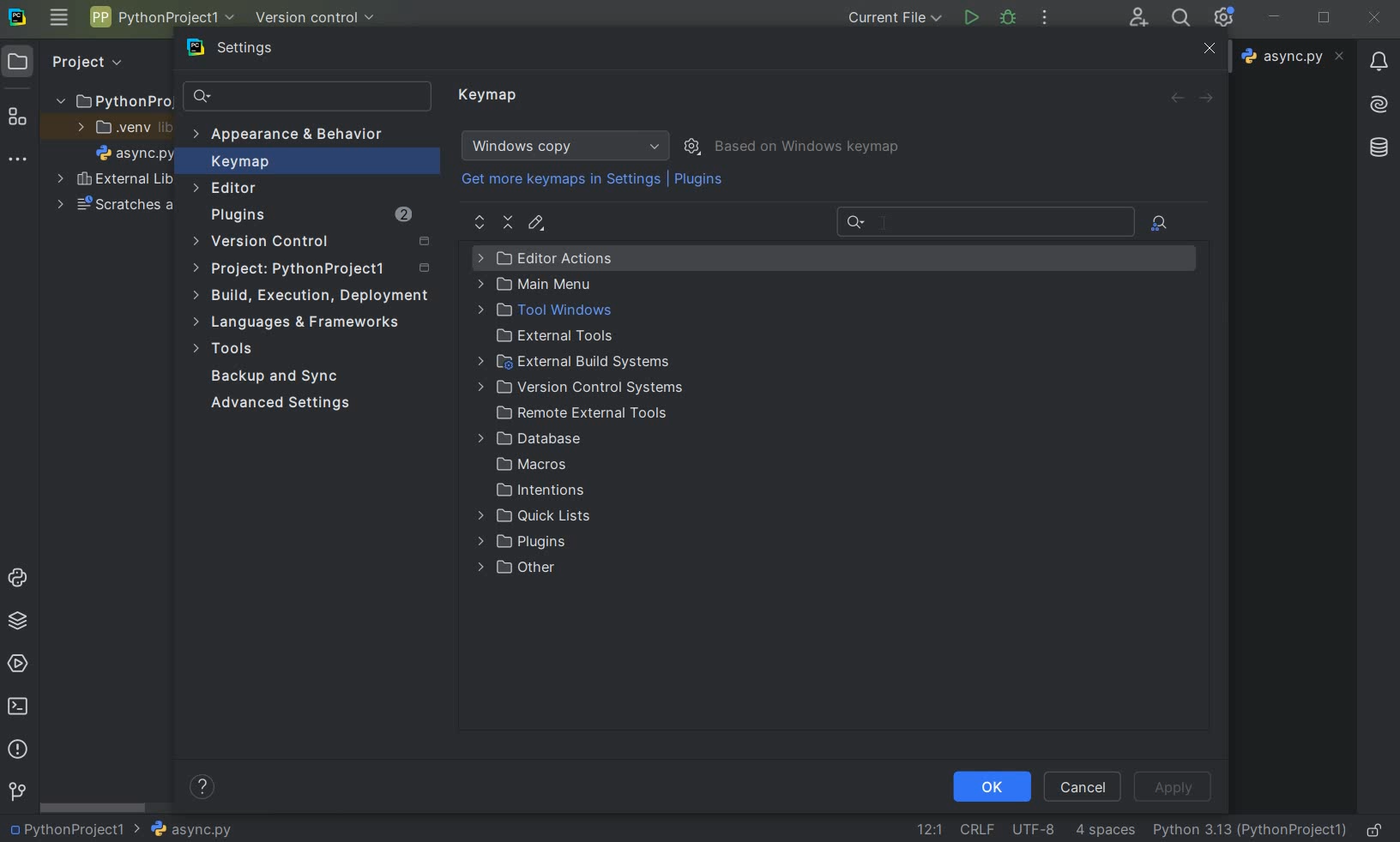 The image size is (1400, 842). Describe the element at coordinates (314, 271) in the screenshot. I see `project` at that location.